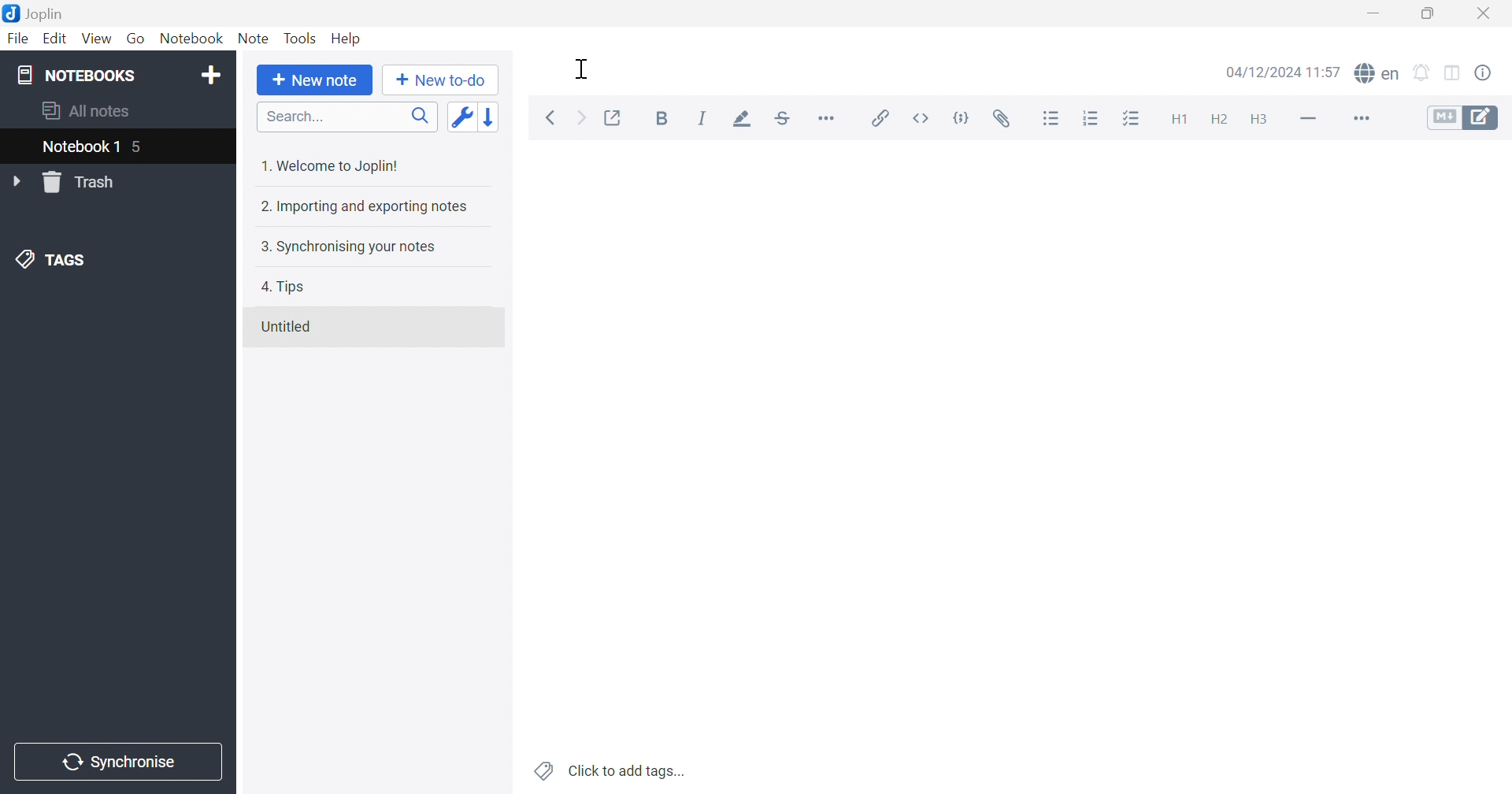 The width and height of the screenshot is (1512, 794). Describe the element at coordinates (922, 117) in the screenshot. I see `Inline code` at that location.